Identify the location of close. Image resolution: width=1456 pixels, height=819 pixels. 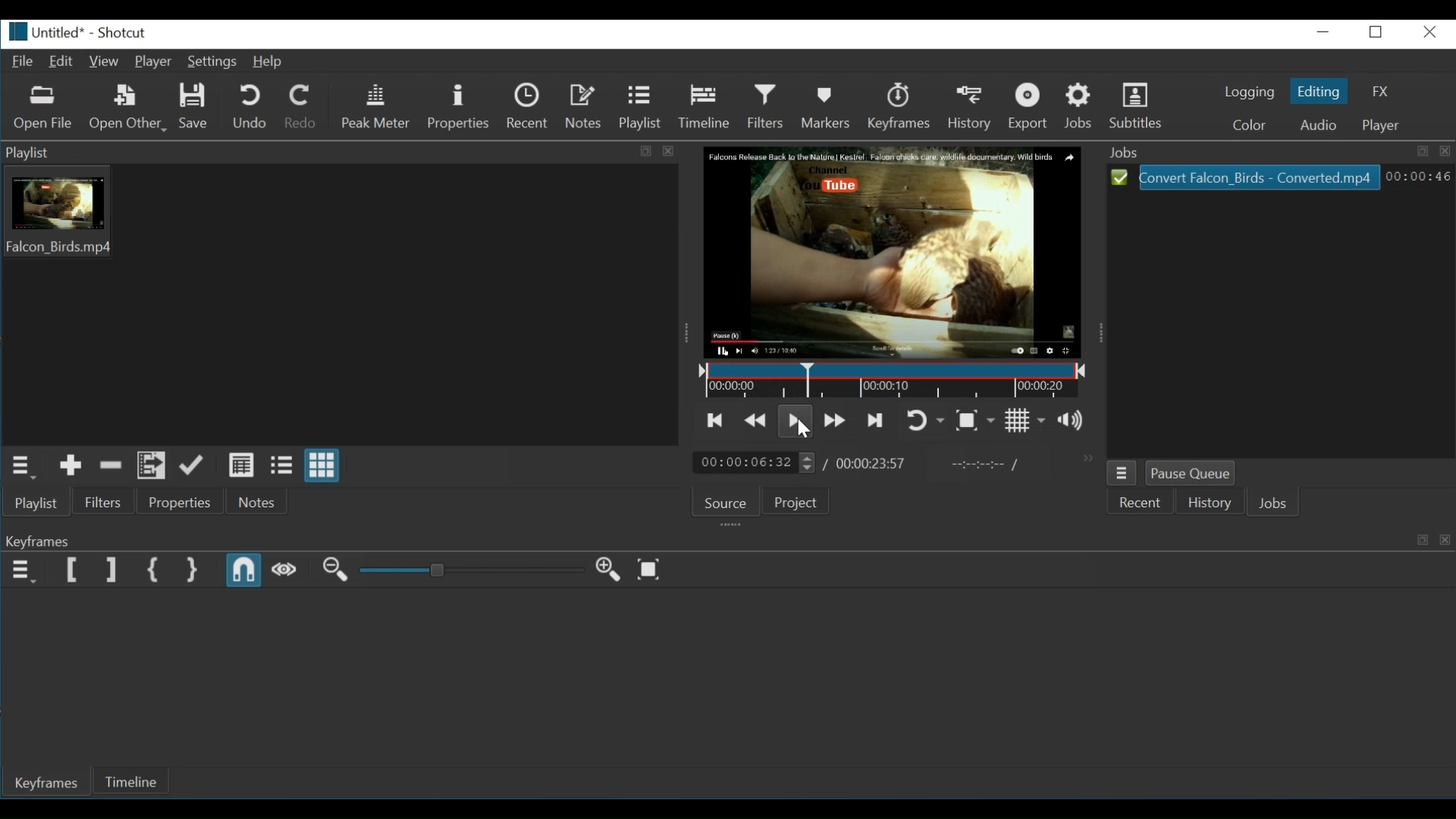
(1426, 34).